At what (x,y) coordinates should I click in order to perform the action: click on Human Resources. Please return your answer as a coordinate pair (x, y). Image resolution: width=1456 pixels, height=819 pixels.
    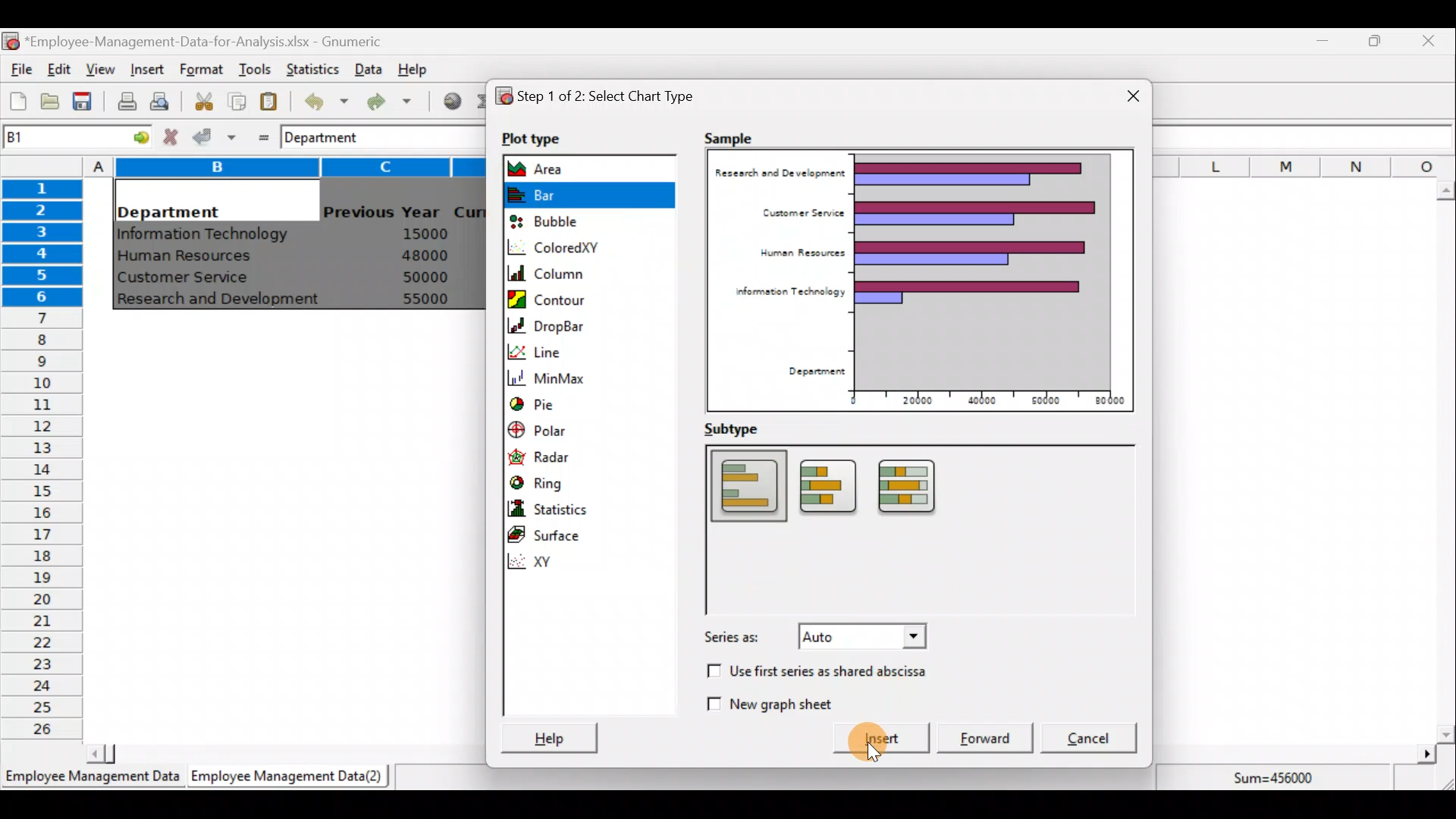
    Looking at the image, I should click on (192, 257).